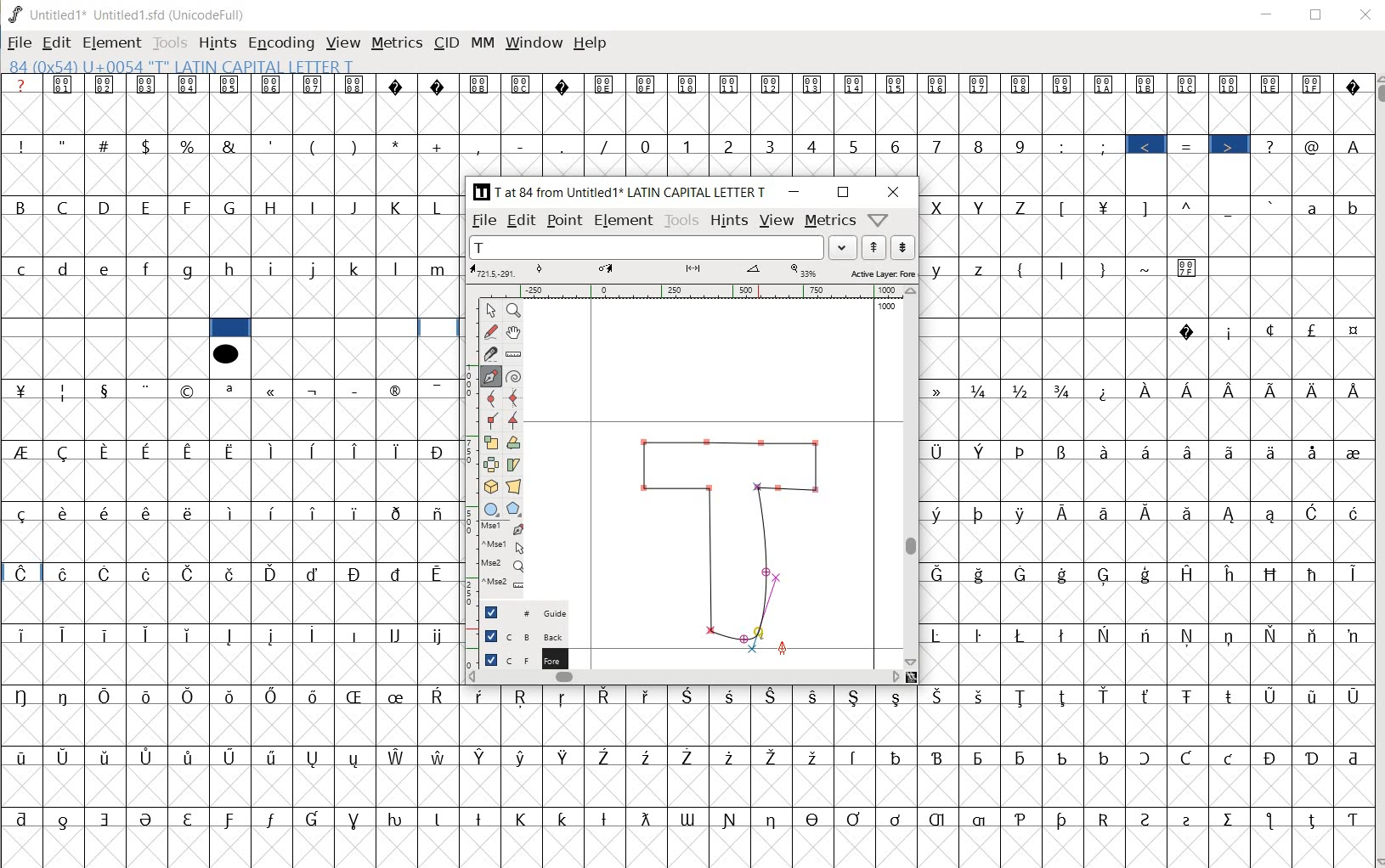 The width and height of the screenshot is (1385, 868). I want to click on Symbol, so click(1314, 389).